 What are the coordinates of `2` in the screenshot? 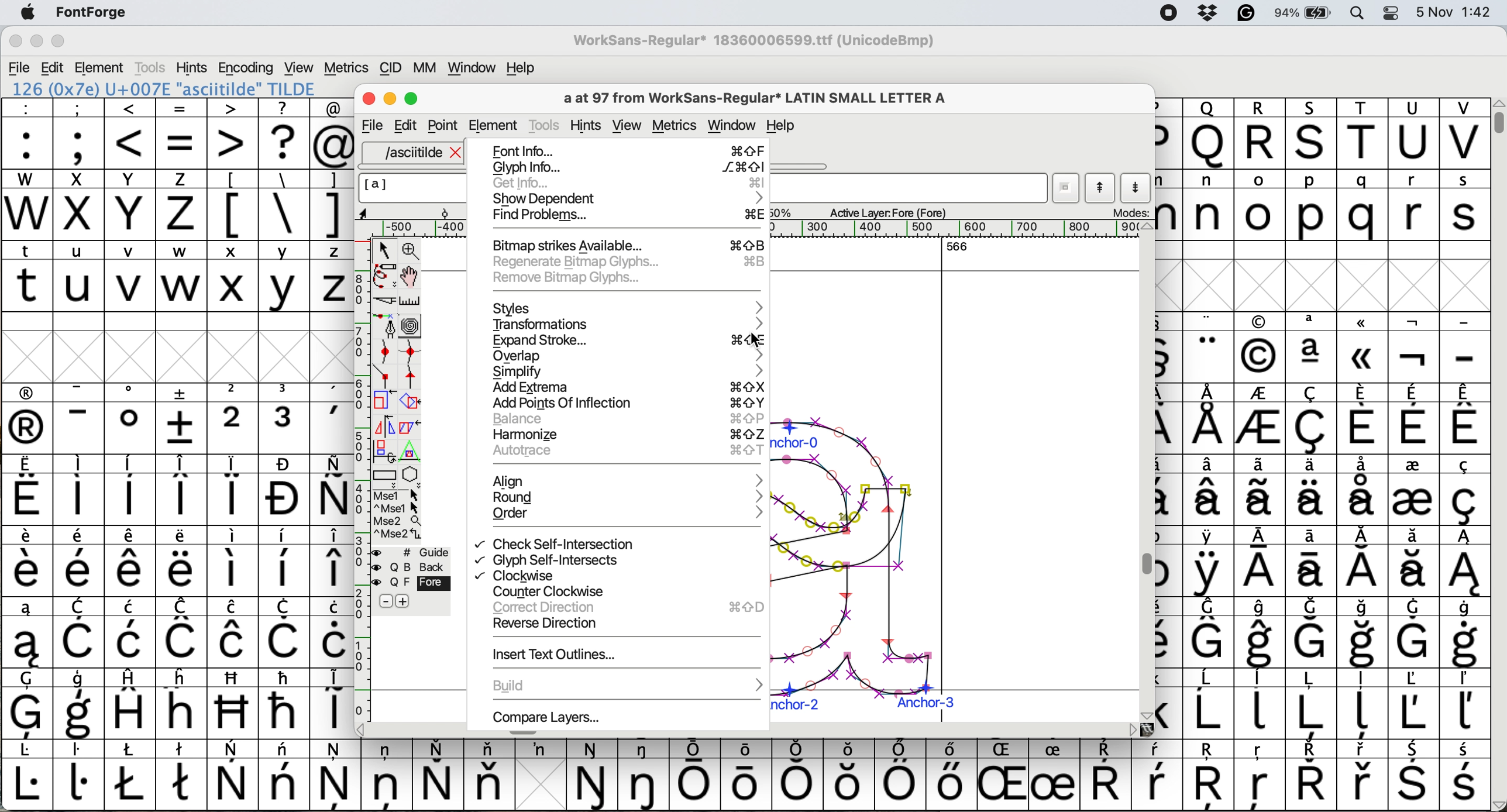 It's located at (233, 418).